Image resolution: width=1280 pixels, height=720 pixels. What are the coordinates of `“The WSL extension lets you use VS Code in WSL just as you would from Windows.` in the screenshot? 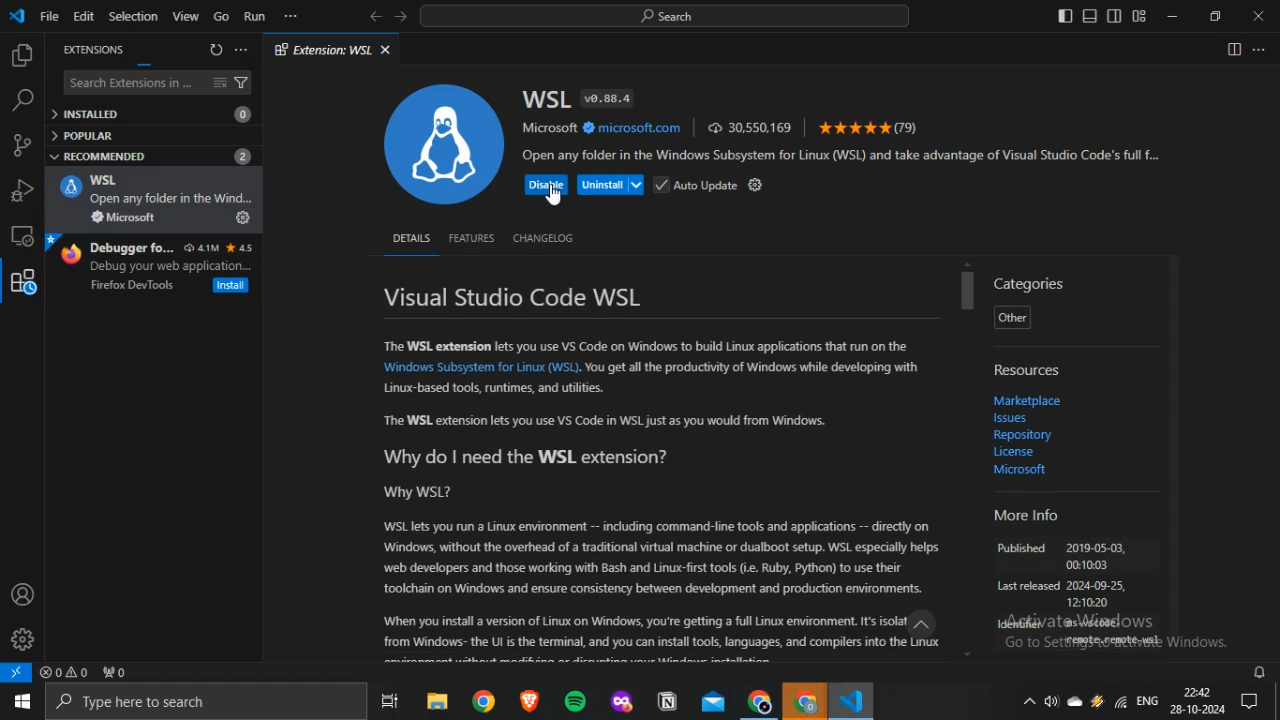 It's located at (606, 423).